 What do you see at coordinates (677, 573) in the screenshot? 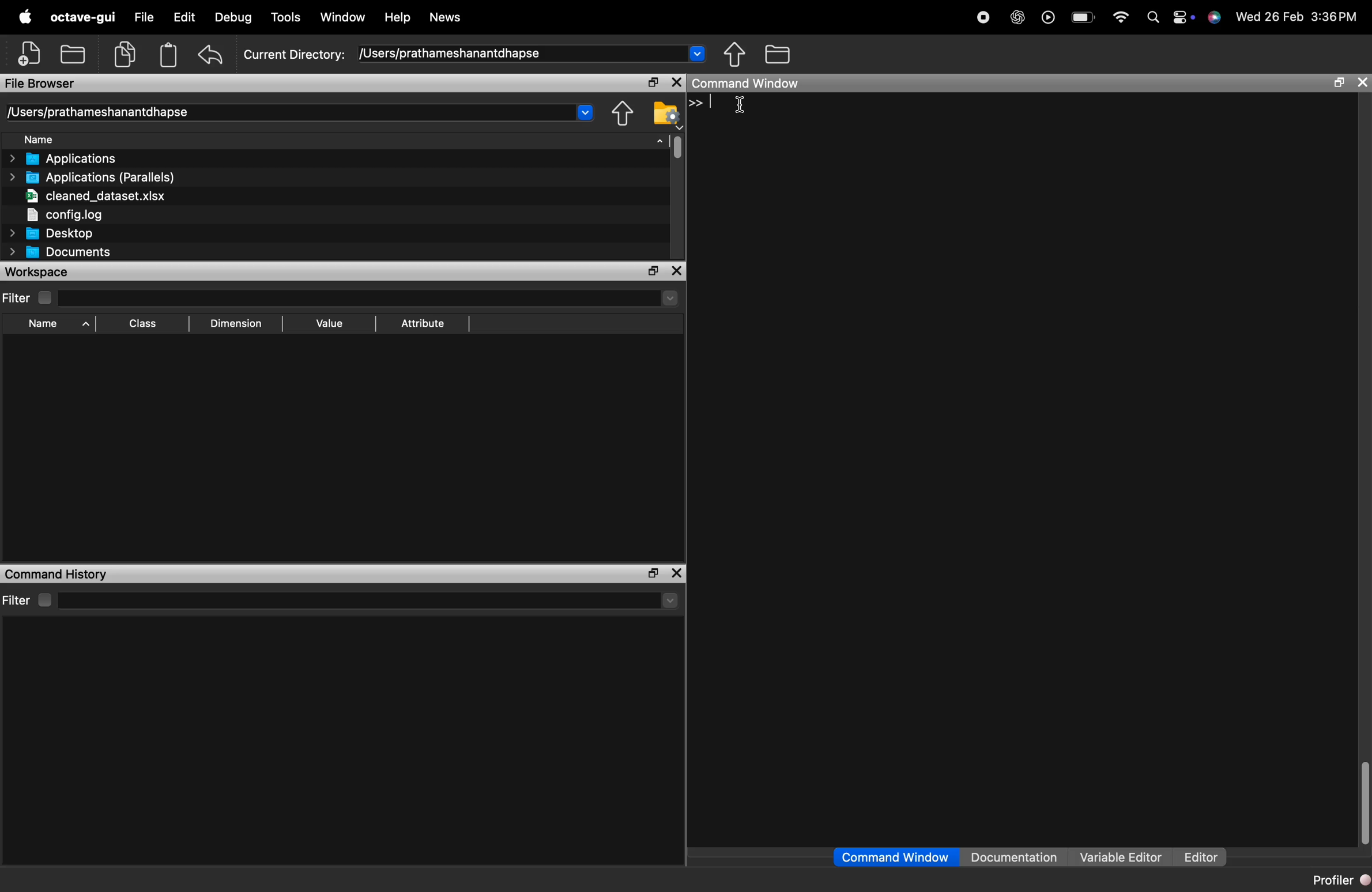
I see `close` at bounding box center [677, 573].